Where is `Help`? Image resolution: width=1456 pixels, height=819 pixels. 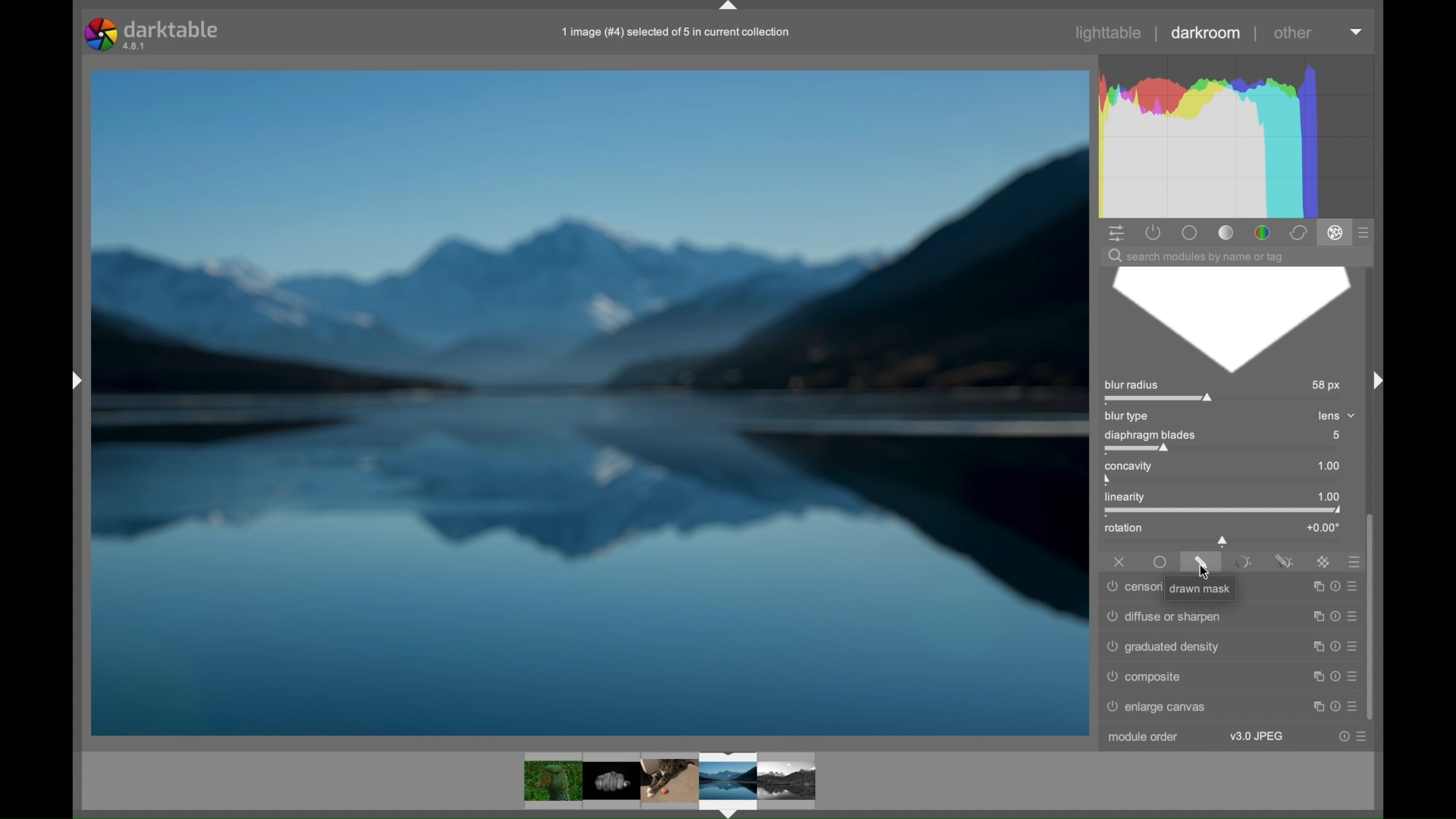
Help is located at coordinates (1332, 643).